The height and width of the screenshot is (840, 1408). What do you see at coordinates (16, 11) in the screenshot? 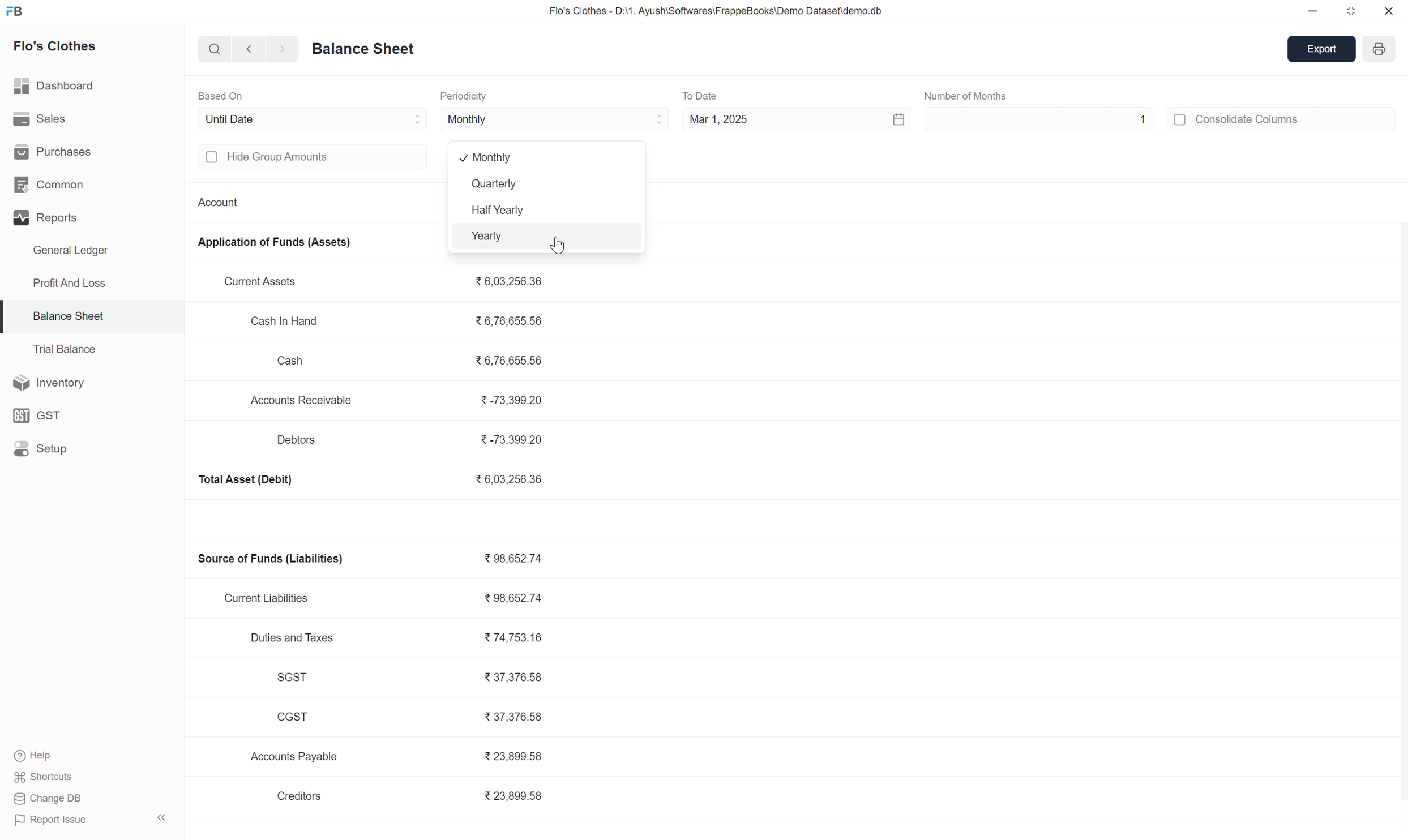
I see `FB` at bounding box center [16, 11].